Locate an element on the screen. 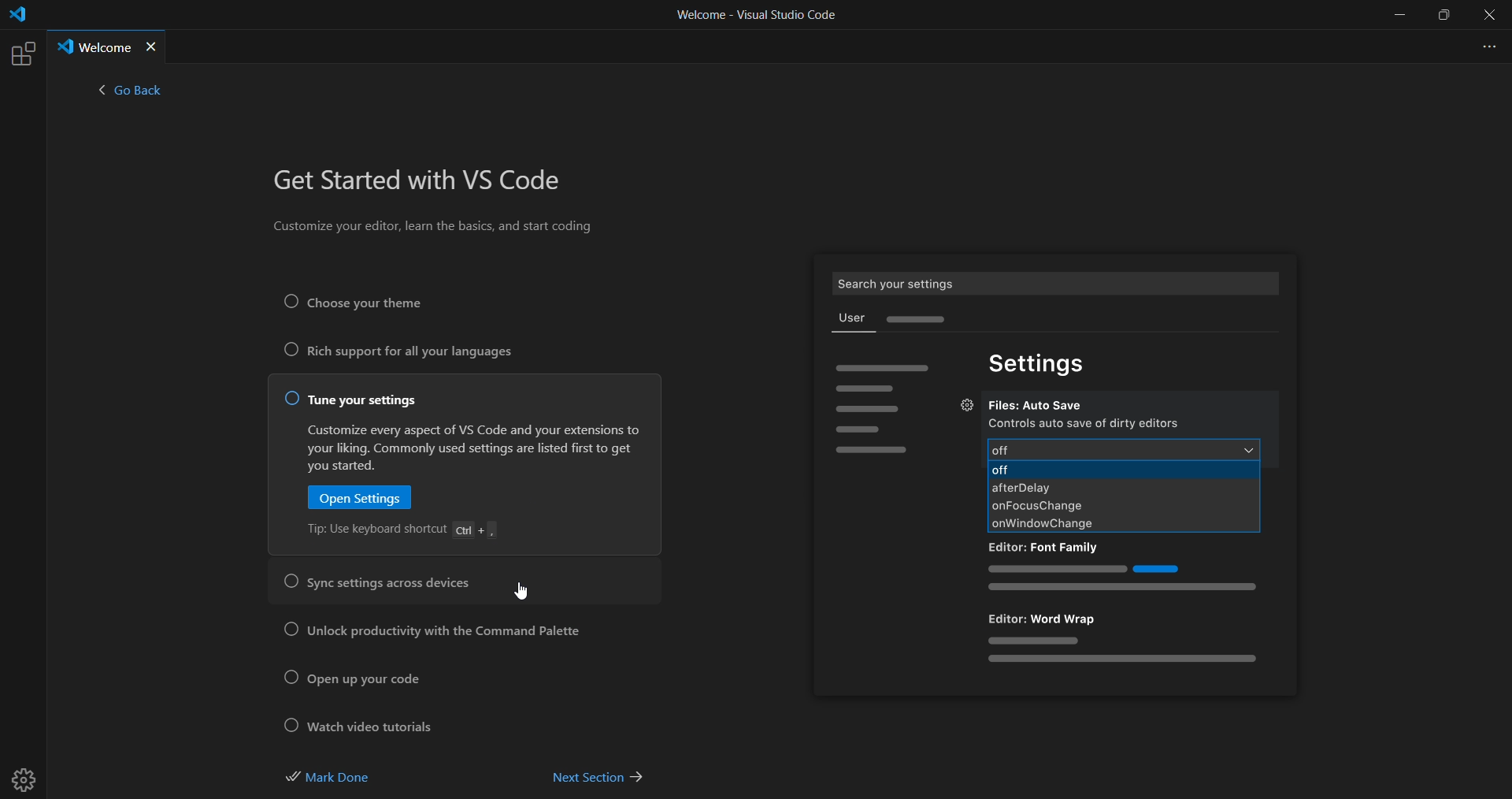 This screenshot has width=1512, height=799. tune your settings is located at coordinates (358, 400).